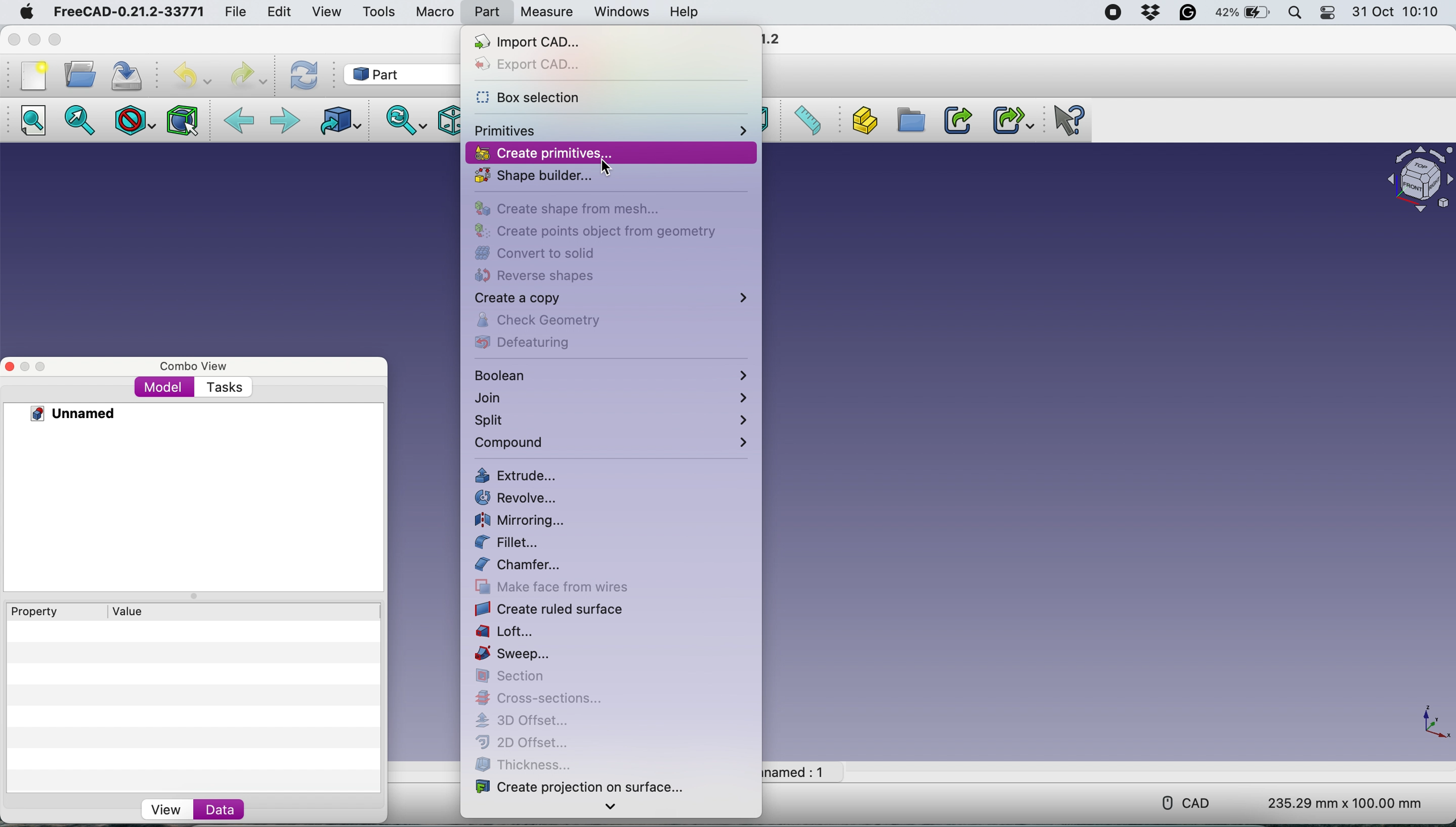 Image resolution: width=1456 pixels, height=827 pixels. Describe the element at coordinates (515, 654) in the screenshot. I see `sweep` at that location.